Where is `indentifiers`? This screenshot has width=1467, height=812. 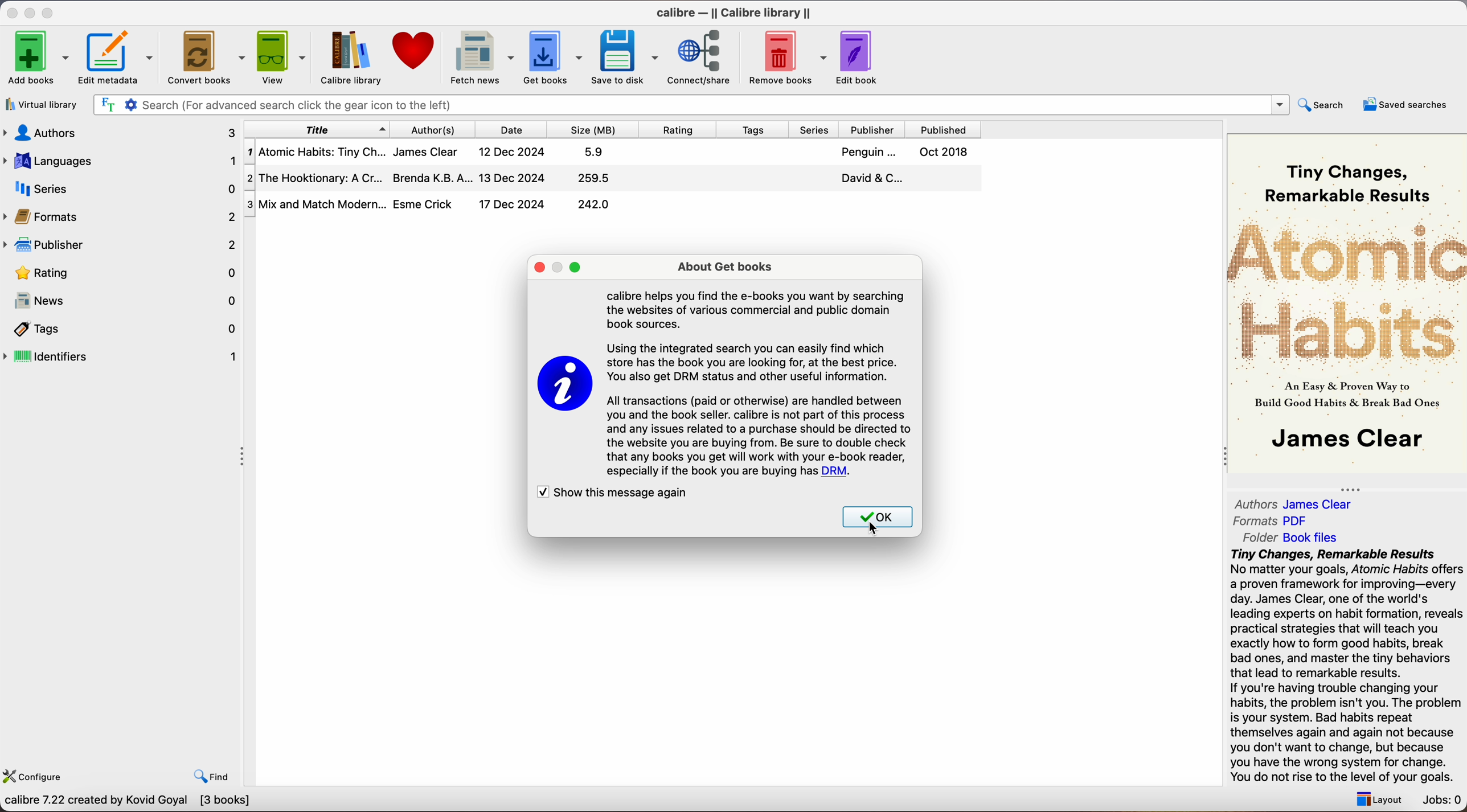
indentifiers is located at coordinates (123, 355).